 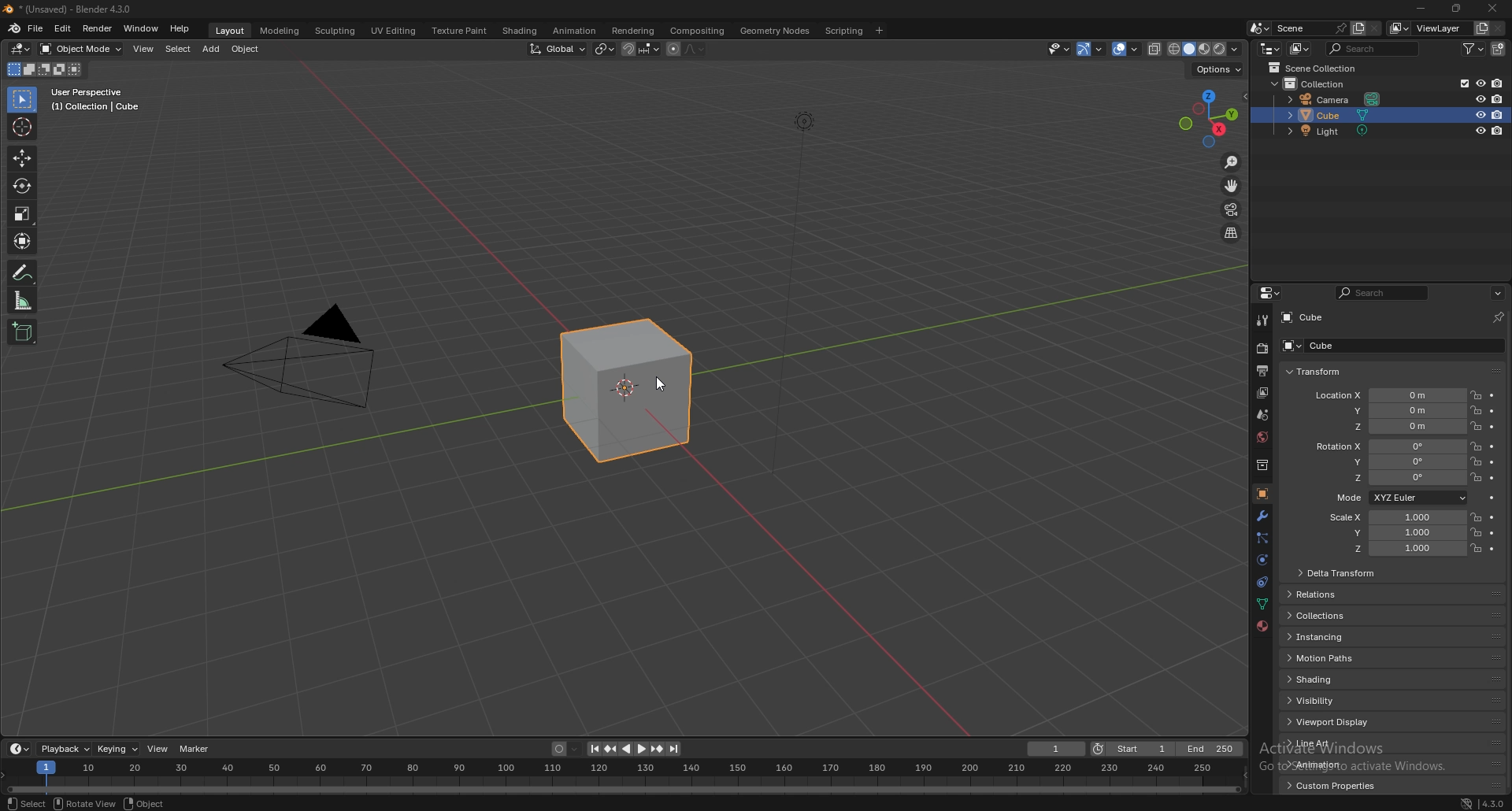 What do you see at coordinates (21, 301) in the screenshot?
I see `measure` at bounding box center [21, 301].